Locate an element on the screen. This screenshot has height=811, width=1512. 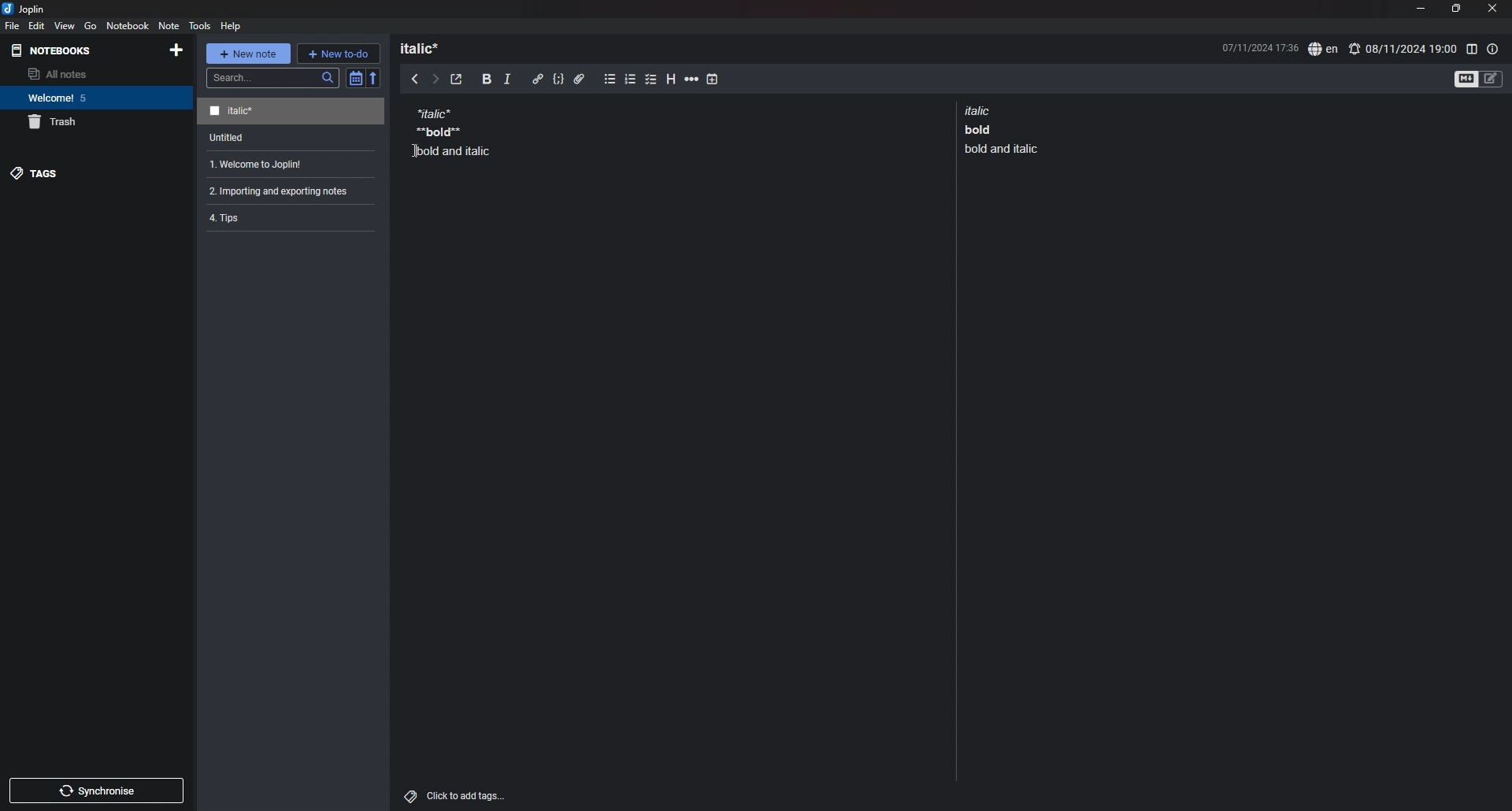
note is located at coordinates (284, 191).